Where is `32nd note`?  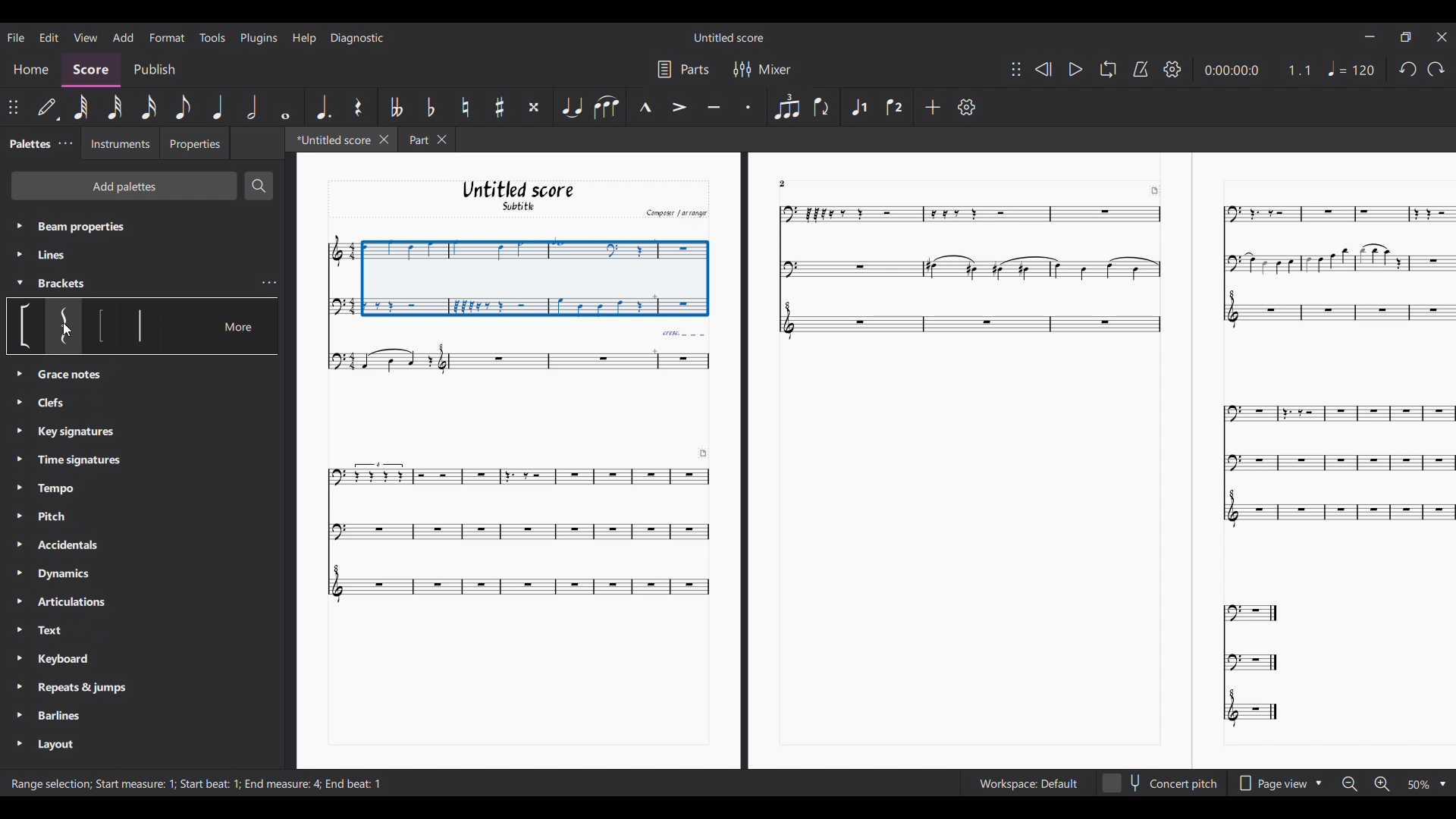
32nd note is located at coordinates (116, 107).